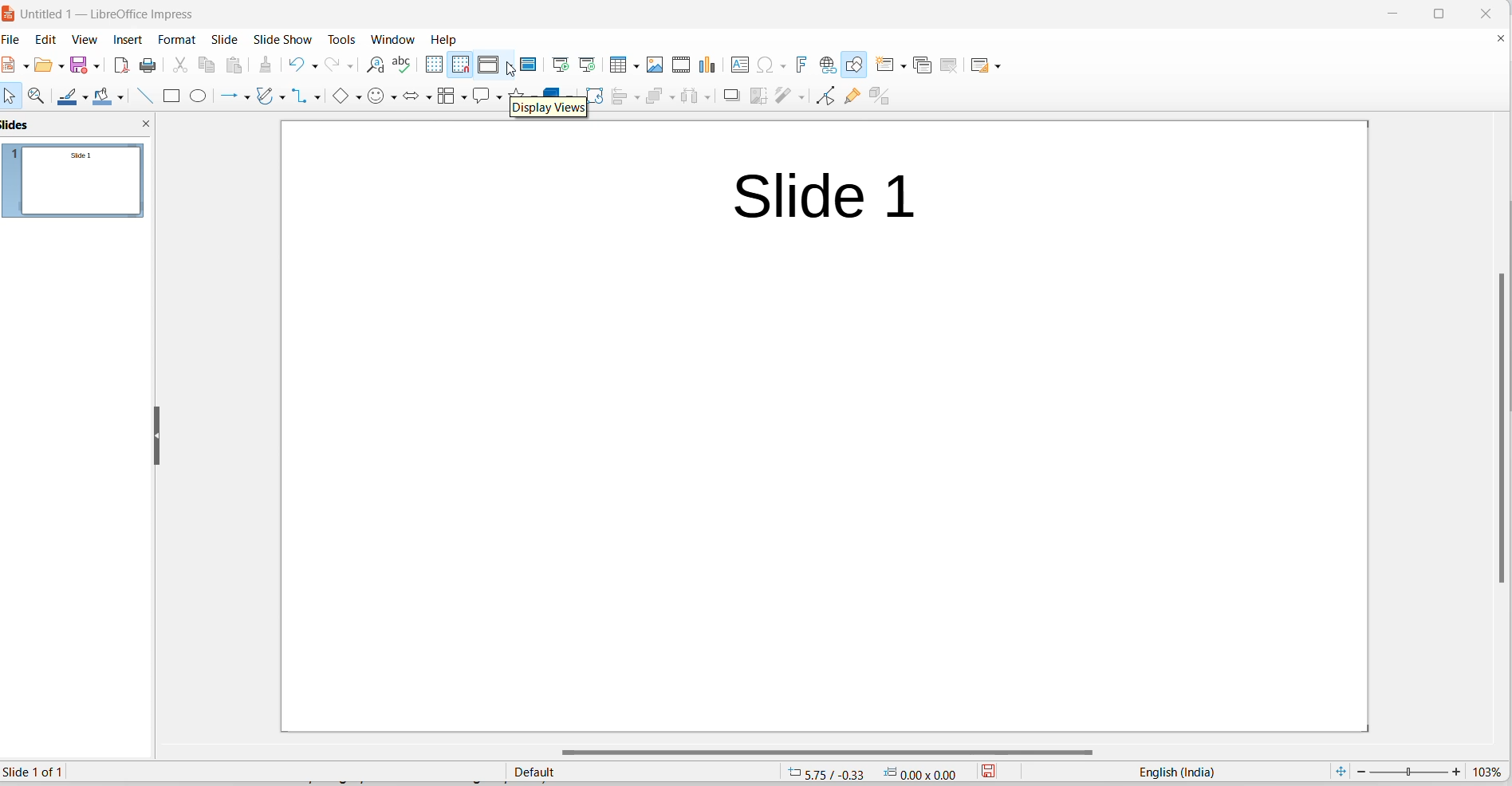  What do you see at coordinates (498, 99) in the screenshot?
I see `callout shapes options` at bounding box center [498, 99].